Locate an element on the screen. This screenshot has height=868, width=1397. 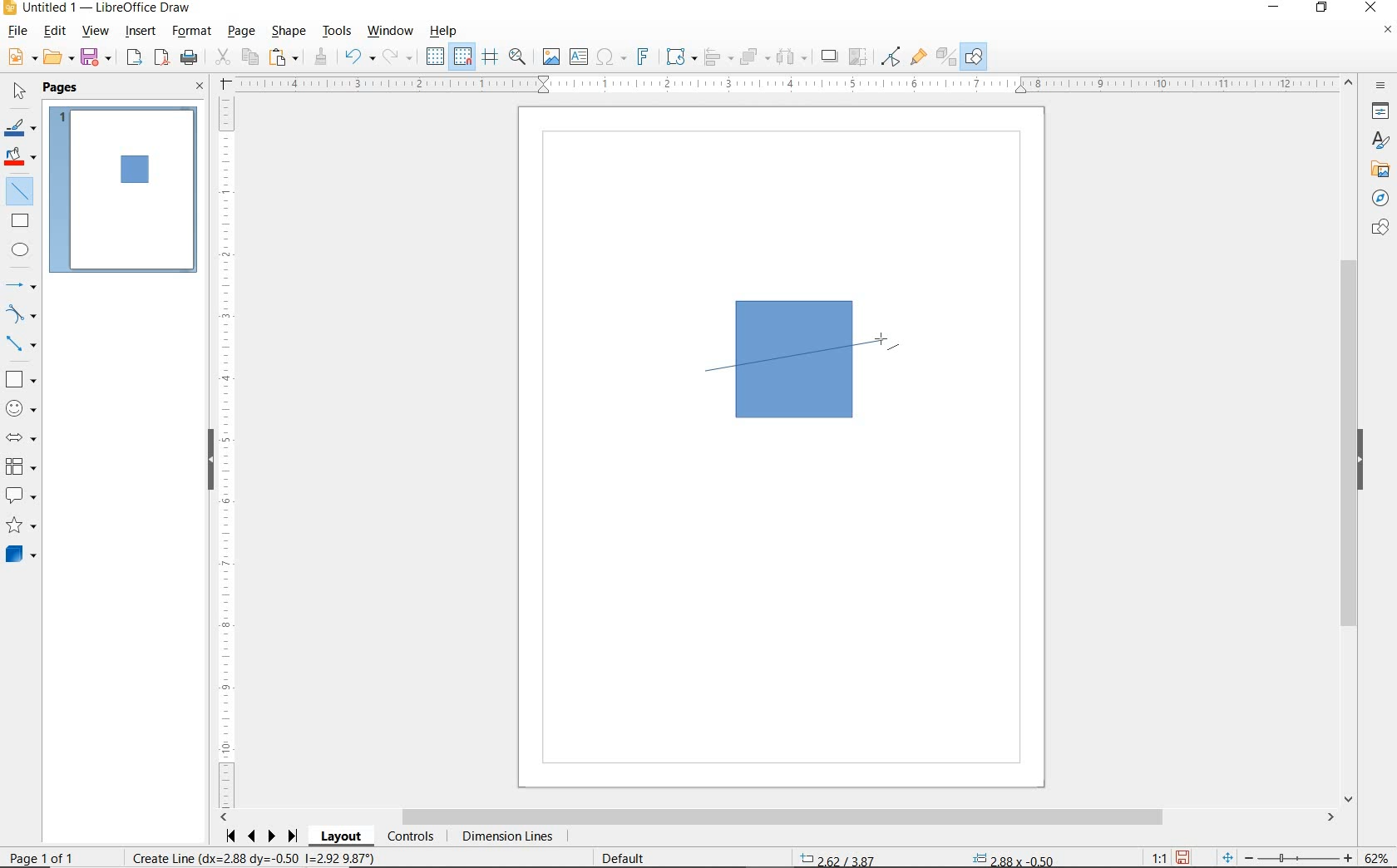
ALIGN OBJECTS is located at coordinates (718, 57).